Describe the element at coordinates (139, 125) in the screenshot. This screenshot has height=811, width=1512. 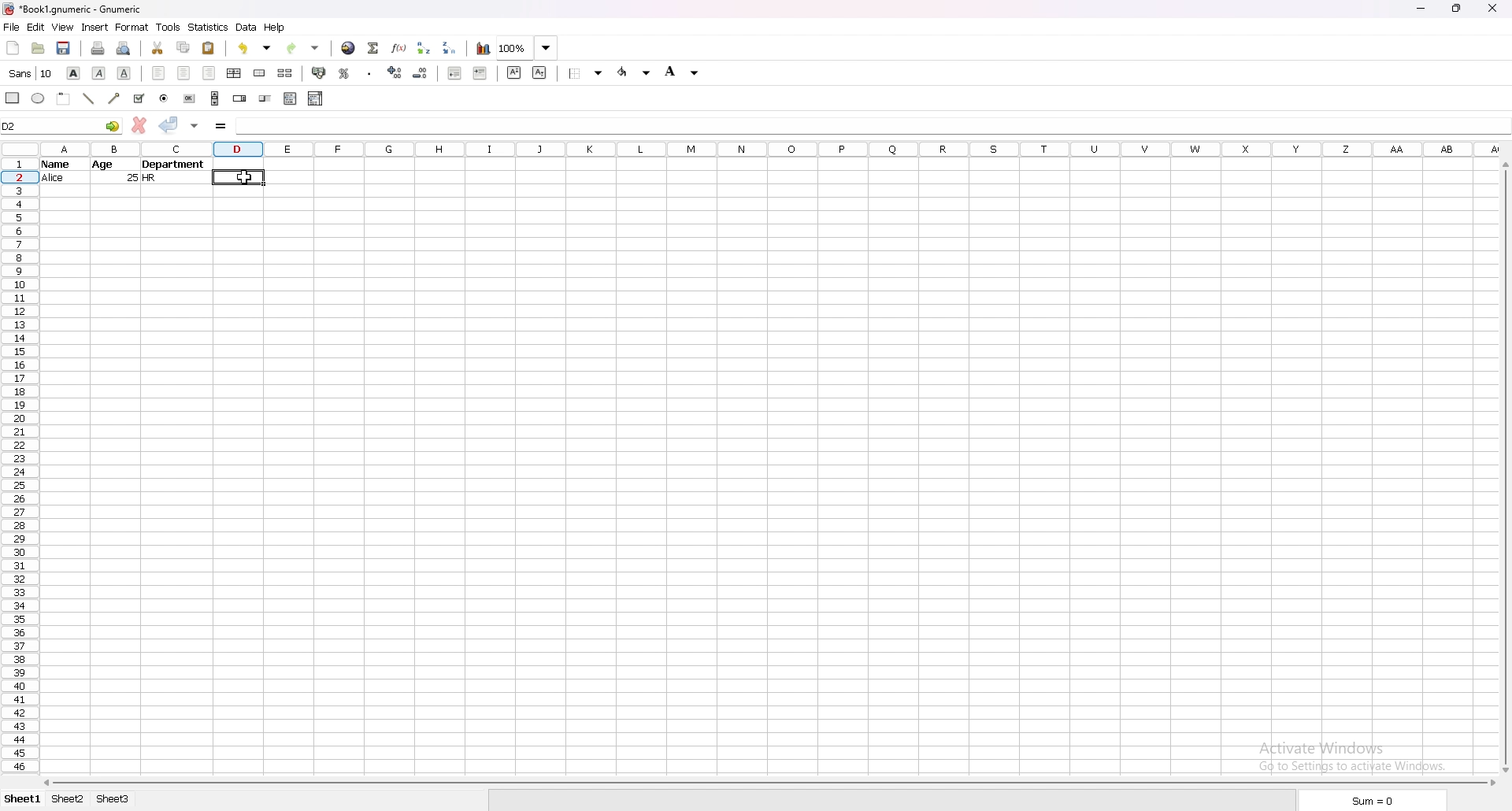
I see `cancel changes` at that location.